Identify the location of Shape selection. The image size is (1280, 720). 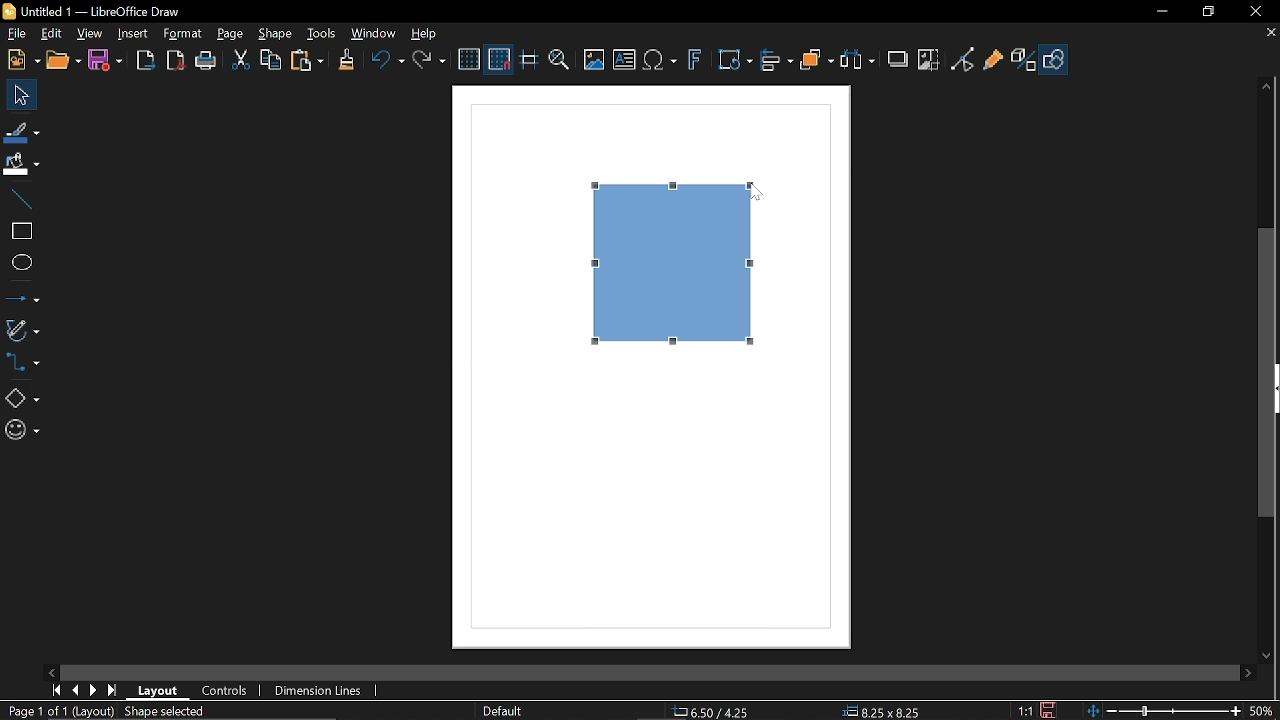
(174, 712).